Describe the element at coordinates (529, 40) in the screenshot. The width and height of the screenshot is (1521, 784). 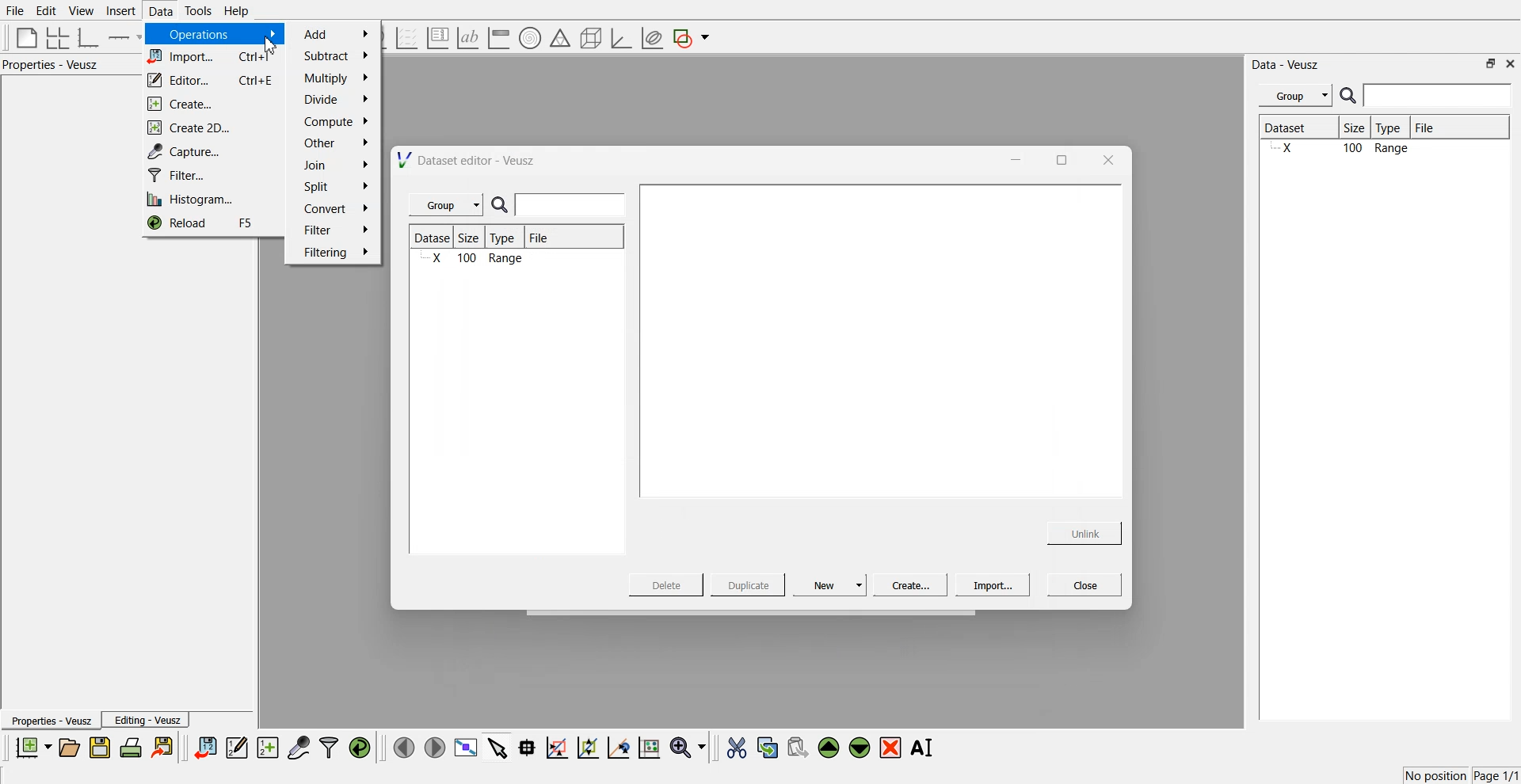
I see `polar graph` at that location.